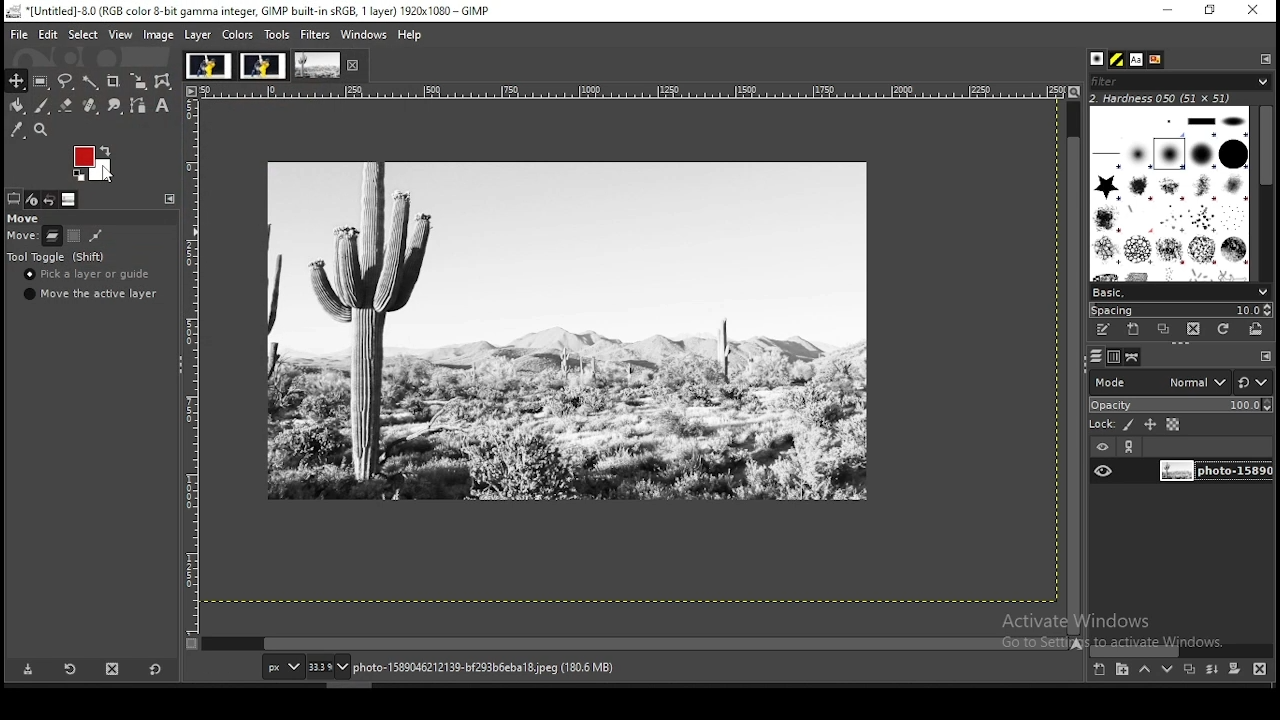 The width and height of the screenshot is (1280, 720). I want to click on fonts, so click(1138, 59).